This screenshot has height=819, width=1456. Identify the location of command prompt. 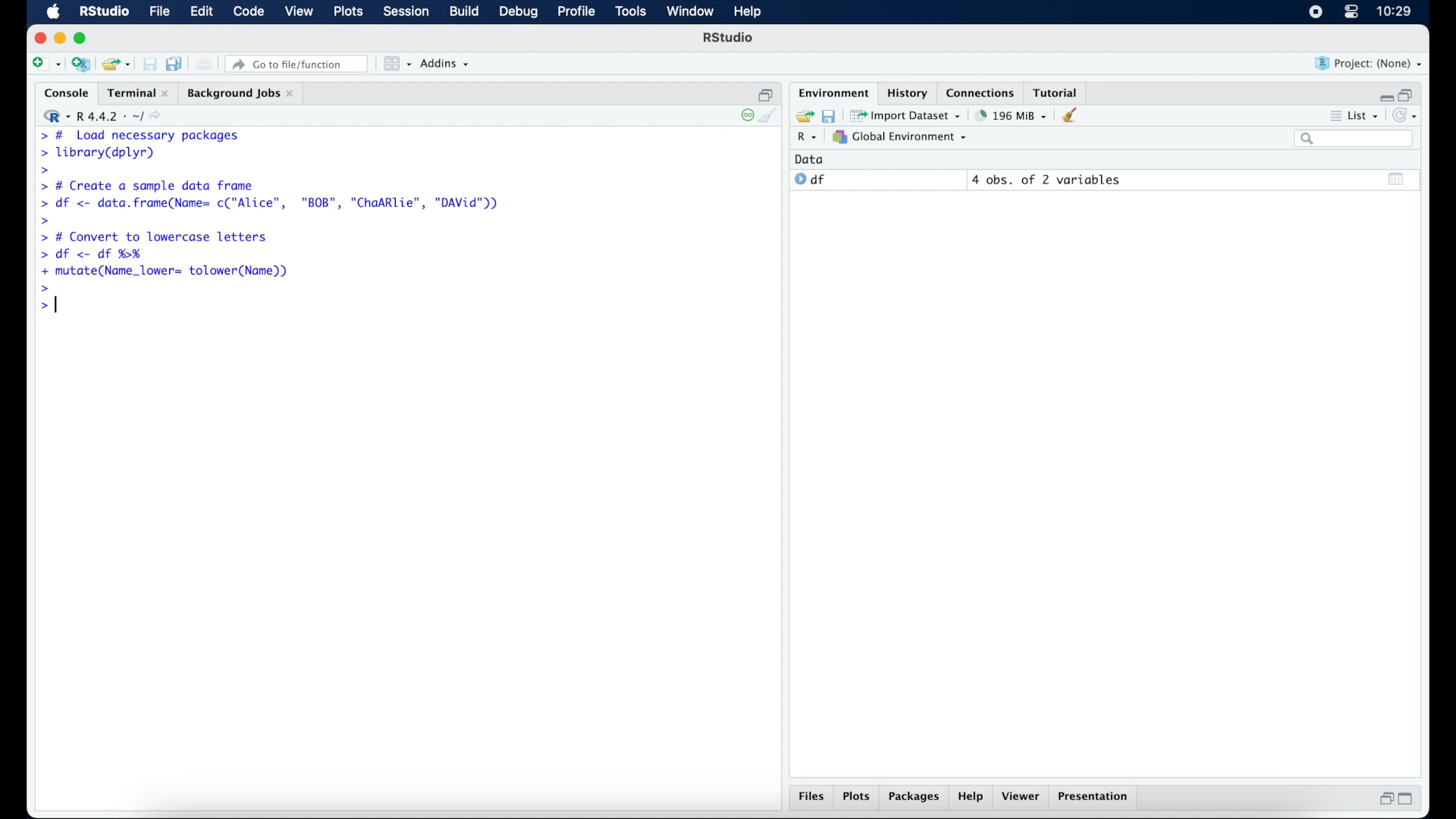
(45, 220).